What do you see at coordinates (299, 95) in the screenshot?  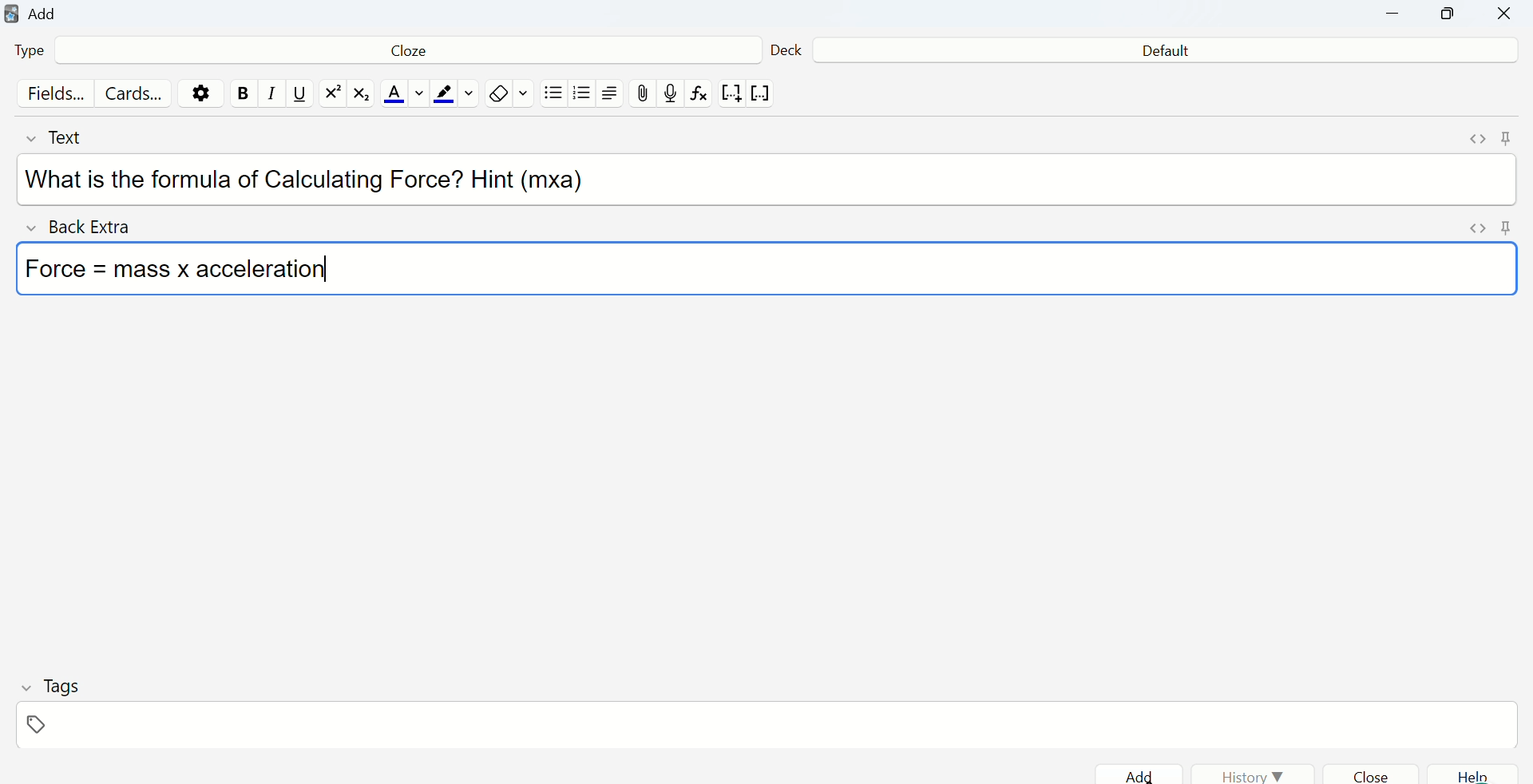 I see `Underline` at bounding box center [299, 95].